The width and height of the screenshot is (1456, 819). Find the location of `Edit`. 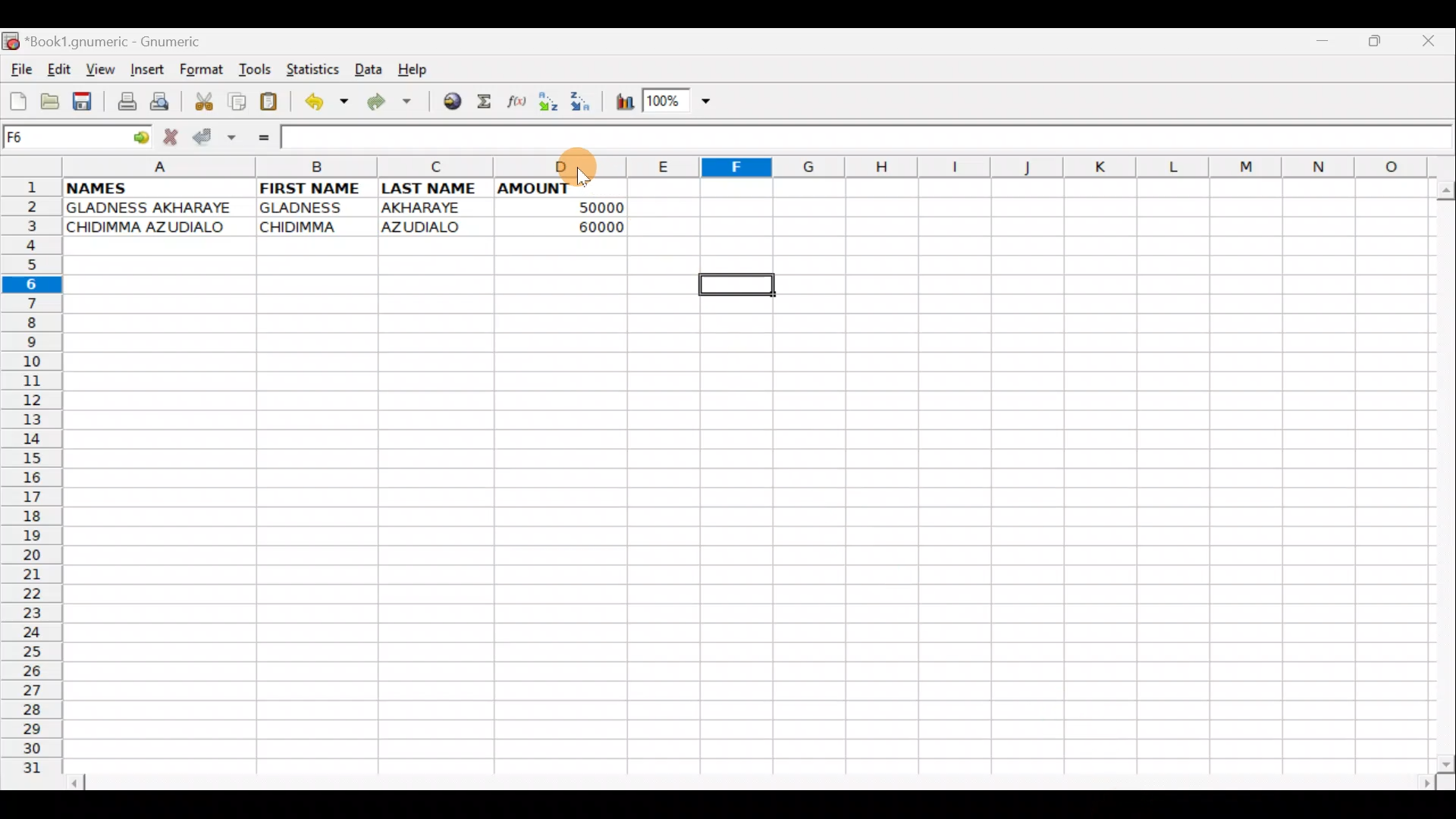

Edit is located at coordinates (61, 71).